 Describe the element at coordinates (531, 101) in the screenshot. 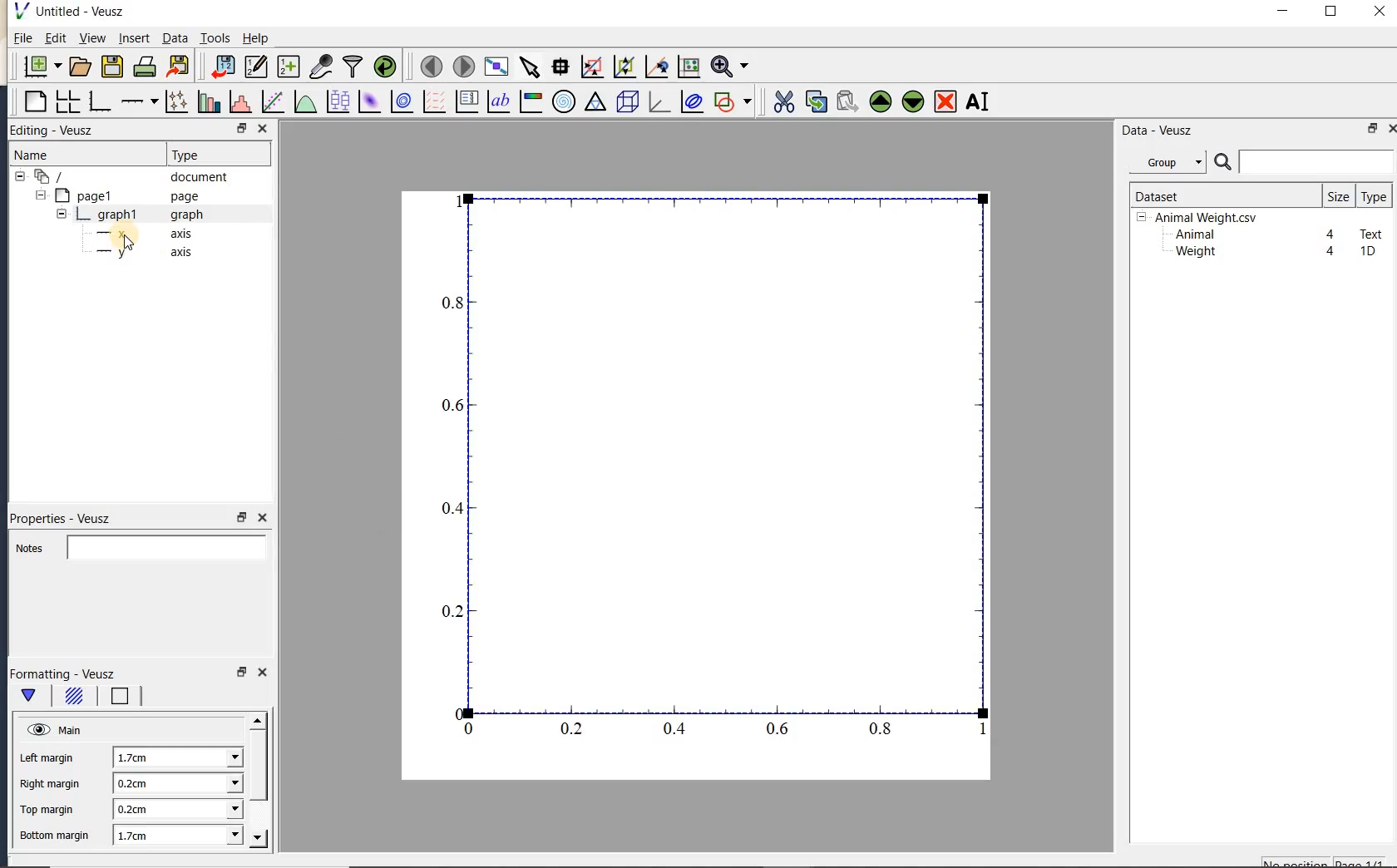

I see `image color bar` at that location.